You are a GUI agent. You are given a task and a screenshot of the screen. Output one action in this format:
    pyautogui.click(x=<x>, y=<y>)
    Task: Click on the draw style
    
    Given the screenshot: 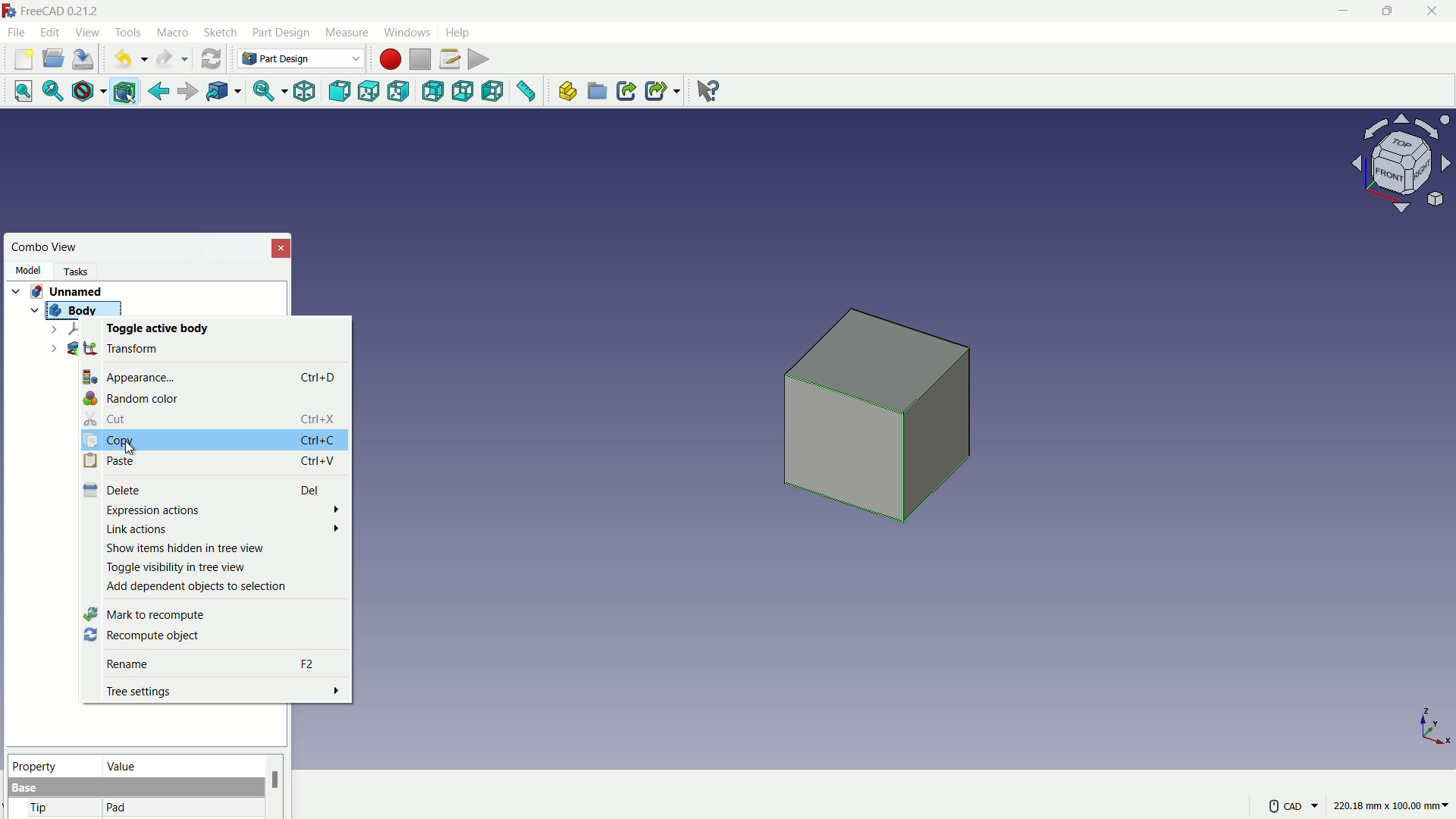 What is the action you would take?
    pyautogui.click(x=86, y=92)
    